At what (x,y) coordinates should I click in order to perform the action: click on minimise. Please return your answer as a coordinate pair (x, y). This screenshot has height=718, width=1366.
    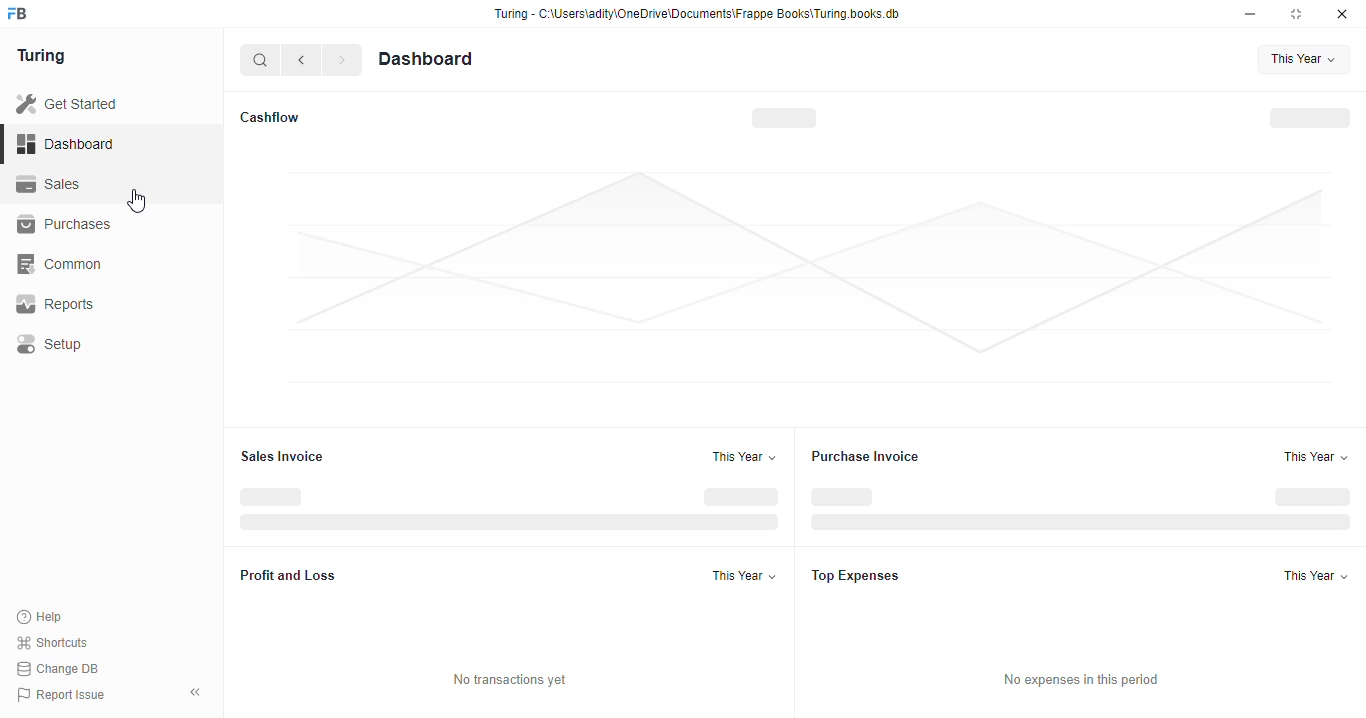
    Looking at the image, I should click on (1251, 14).